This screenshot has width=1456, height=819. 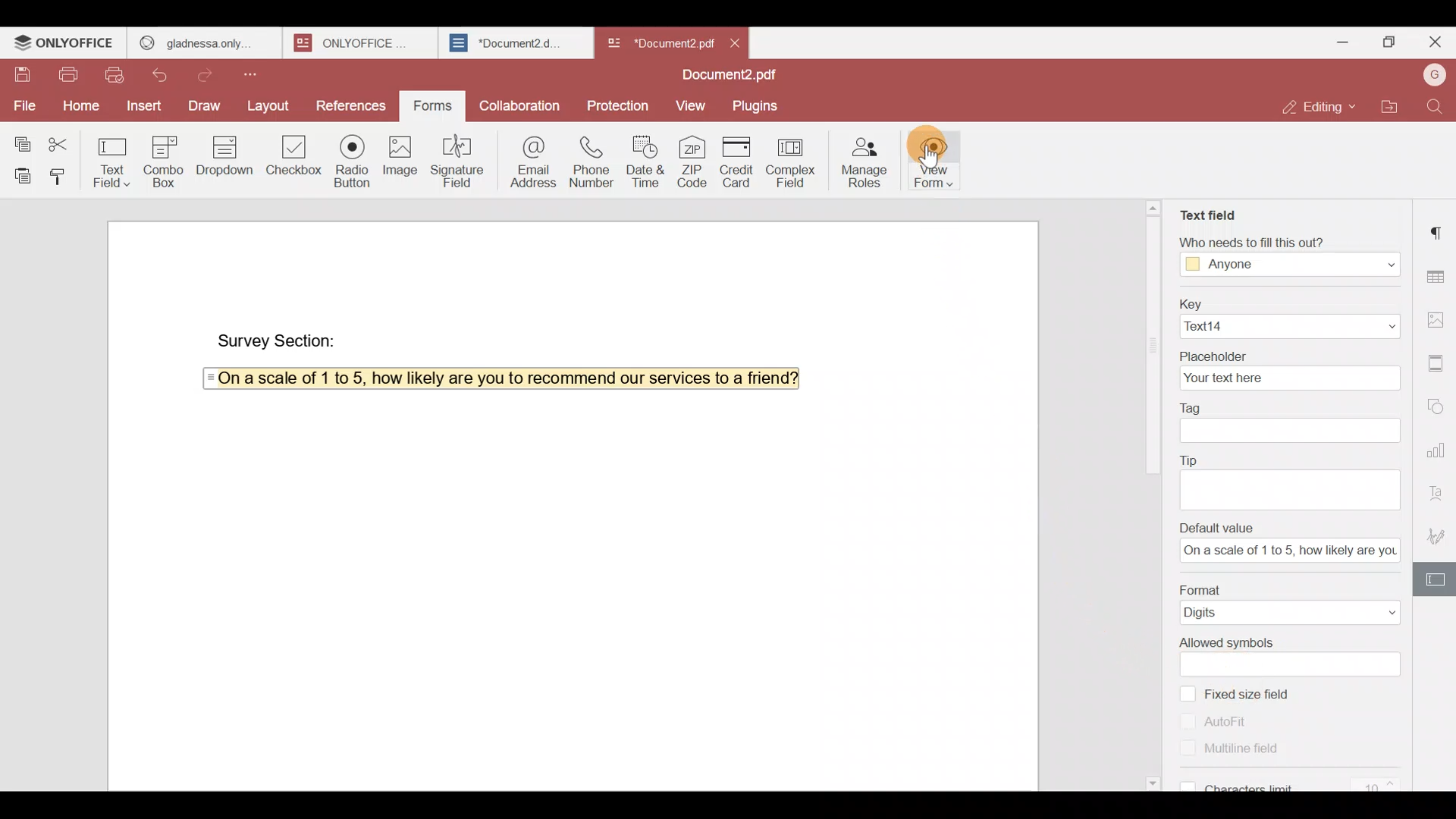 What do you see at coordinates (1438, 450) in the screenshot?
I see `Chart settings` at bounding box center [1438, 450].